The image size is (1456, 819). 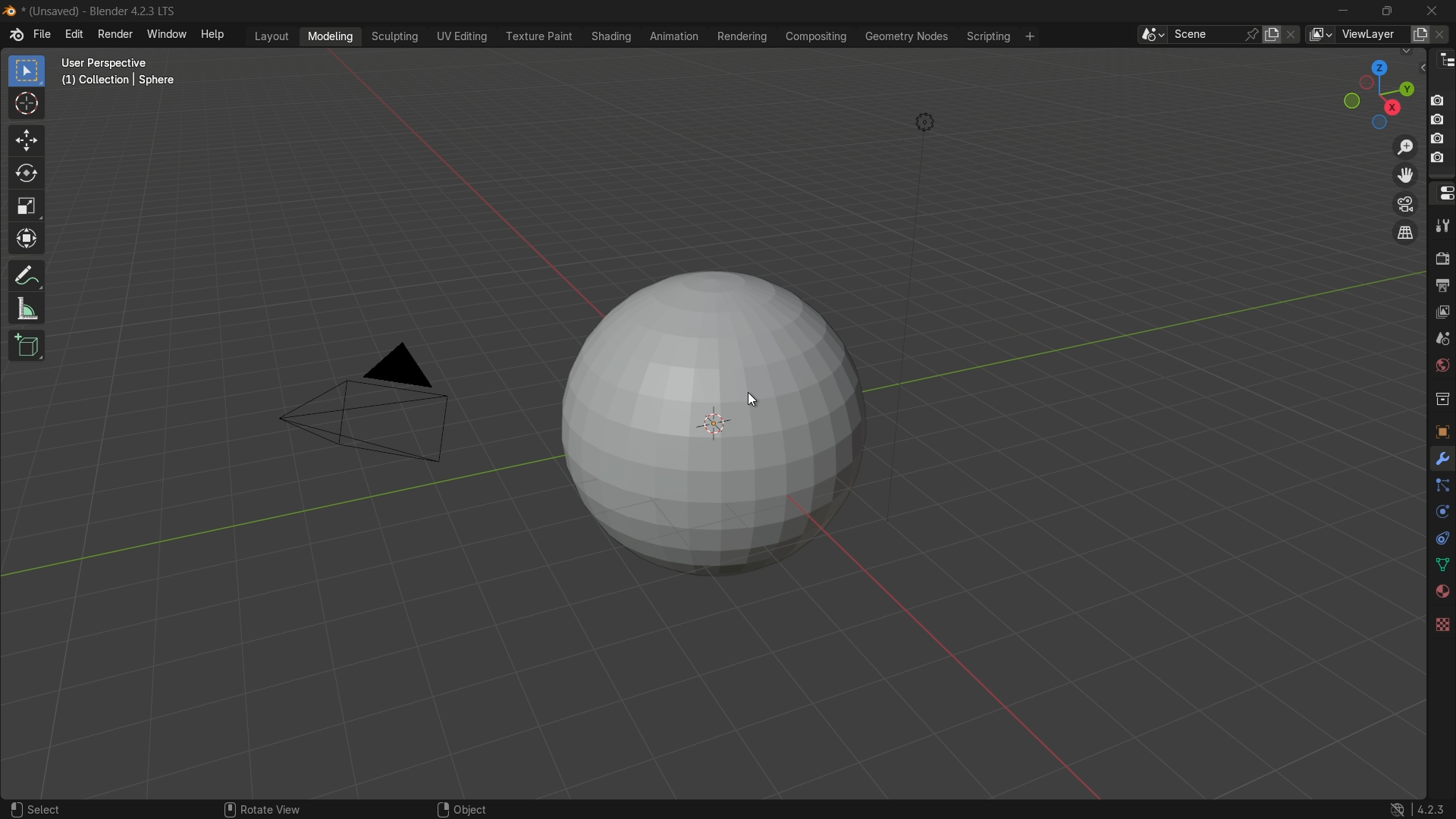 What do you see at coordinates (1442, 591) in the screenshot?
I see `material` at bounding box center [1442, 591].